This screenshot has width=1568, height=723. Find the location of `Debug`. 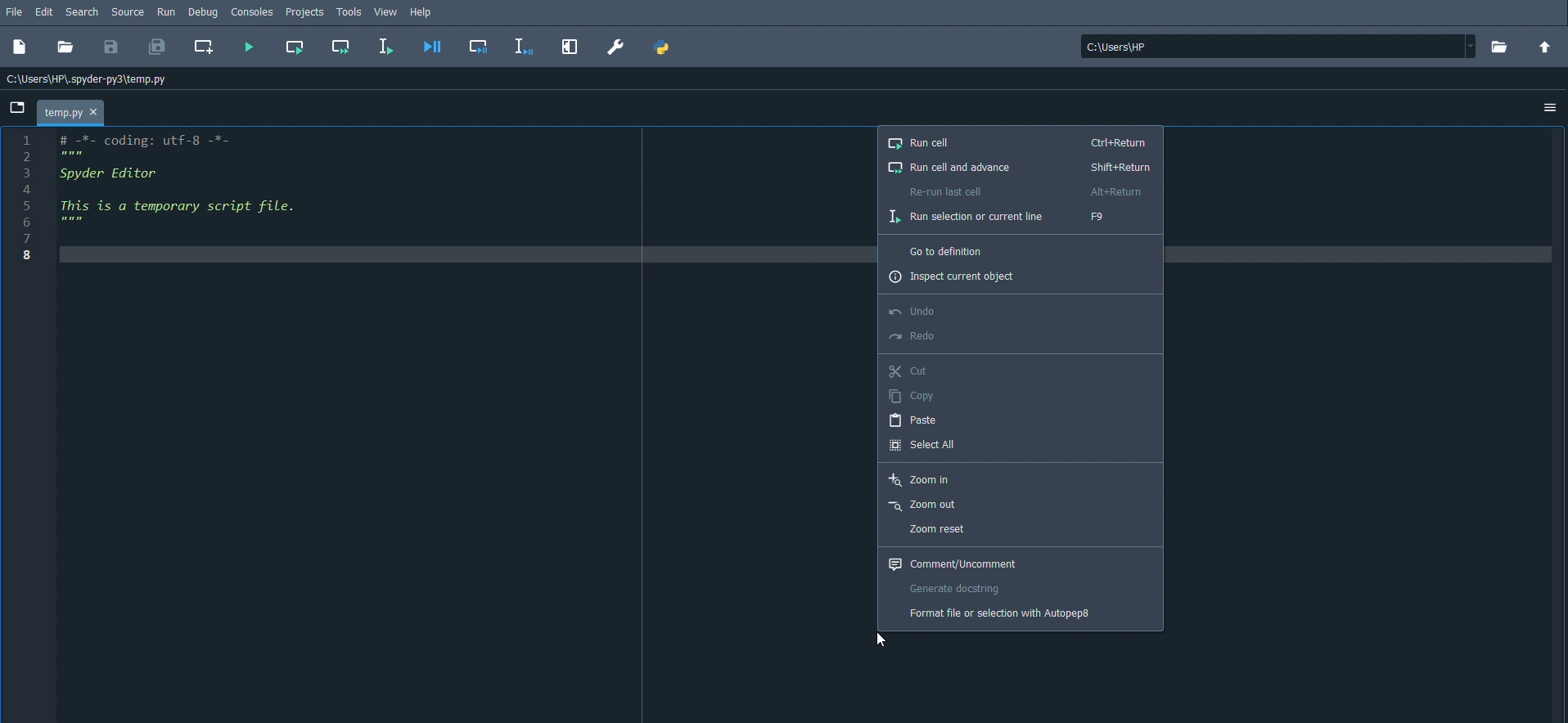

Debug is located at coordinates (206, 11).